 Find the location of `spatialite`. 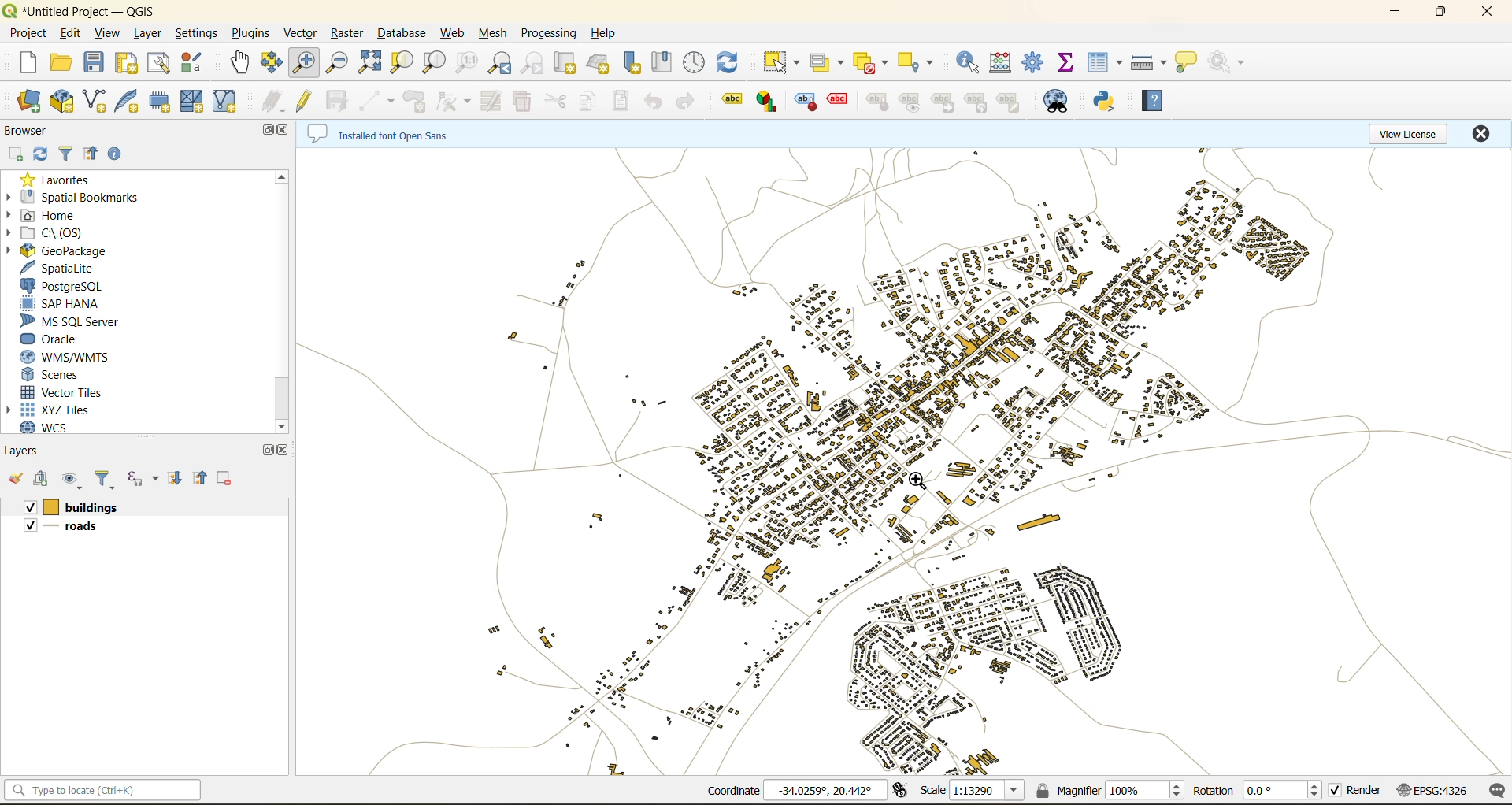

spatialite is located at coordinates (64, 268).